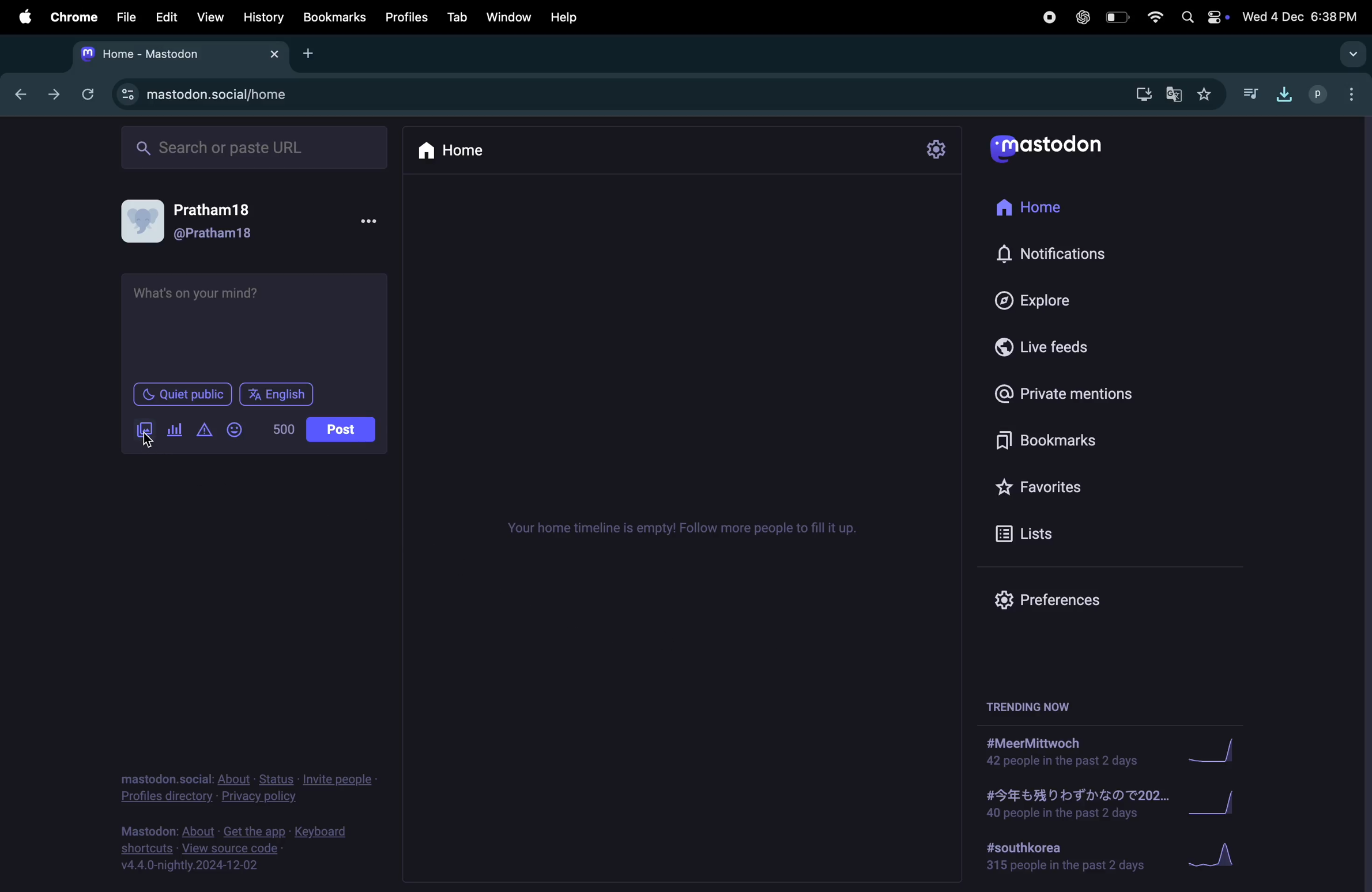  What do you see at coordinates (153, 443) in the screenshot?
I see `cursor` at bounding box center [153, 443].